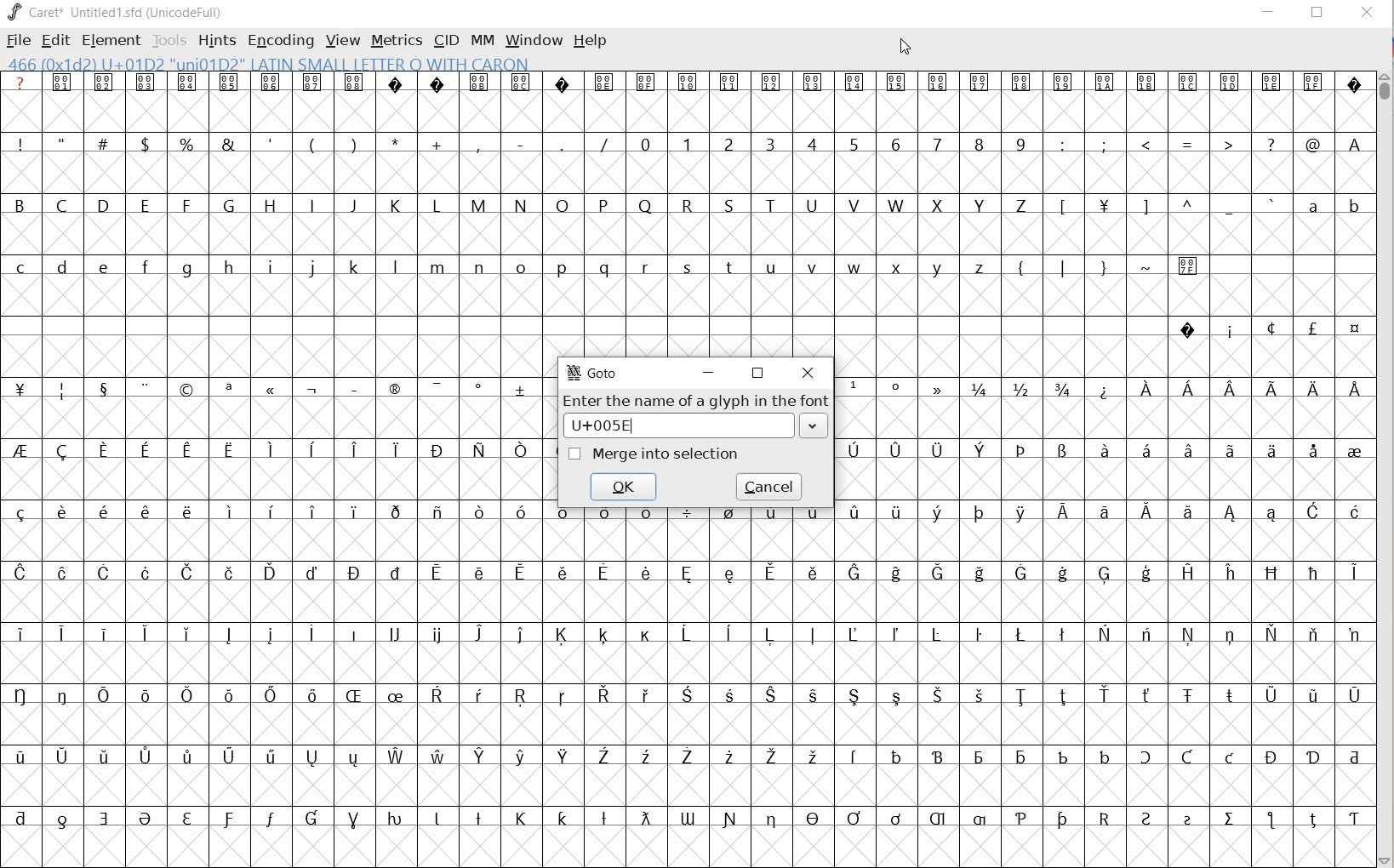  What do you see at coordinates (625, 488) in the screenshot?
I see `ok` at bounding box center [625, 488].